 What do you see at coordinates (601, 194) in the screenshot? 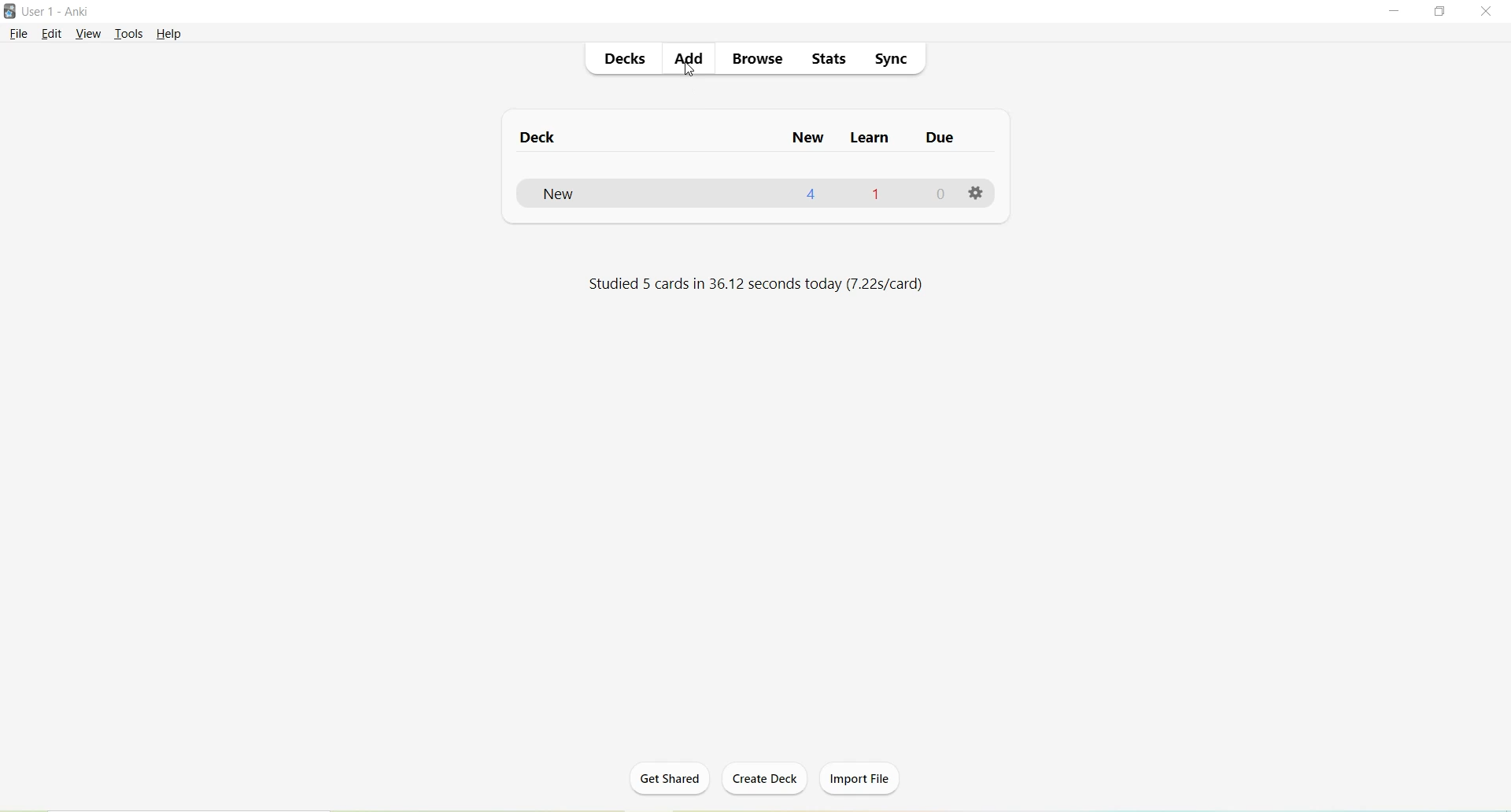
I see `New` at bounding box center [601, 194].